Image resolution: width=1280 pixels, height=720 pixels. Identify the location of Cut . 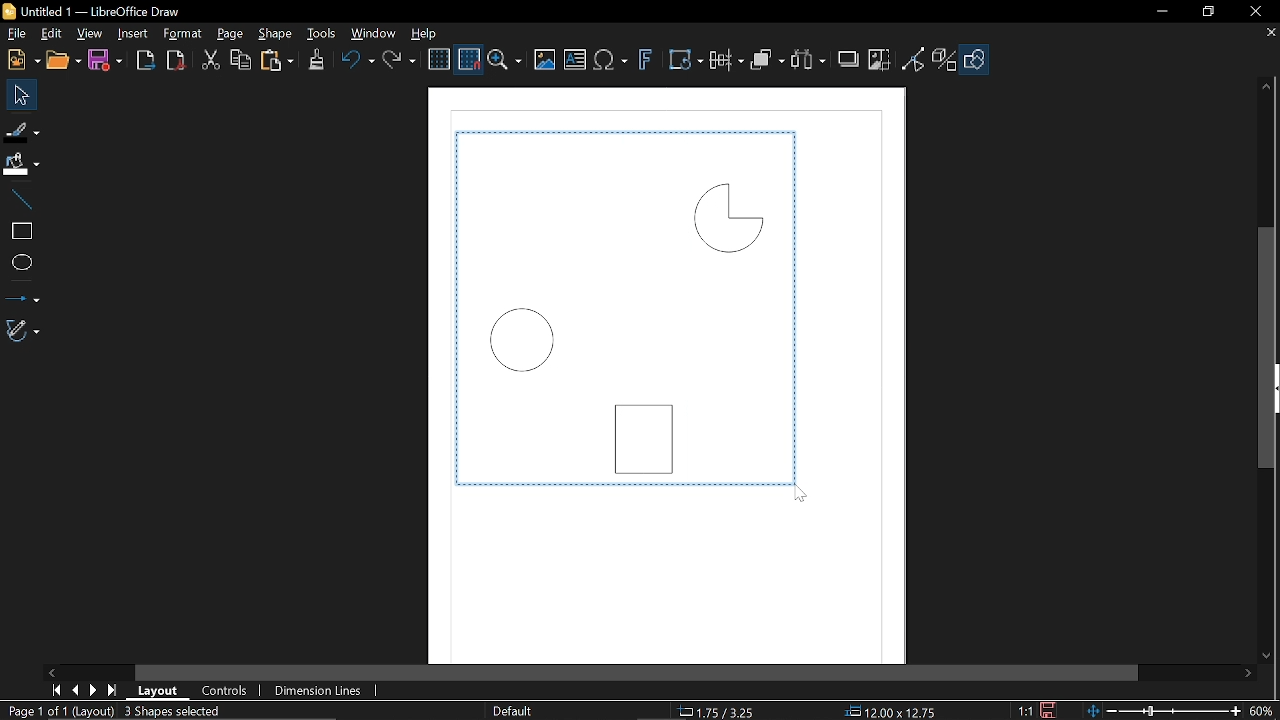
(210, 60).